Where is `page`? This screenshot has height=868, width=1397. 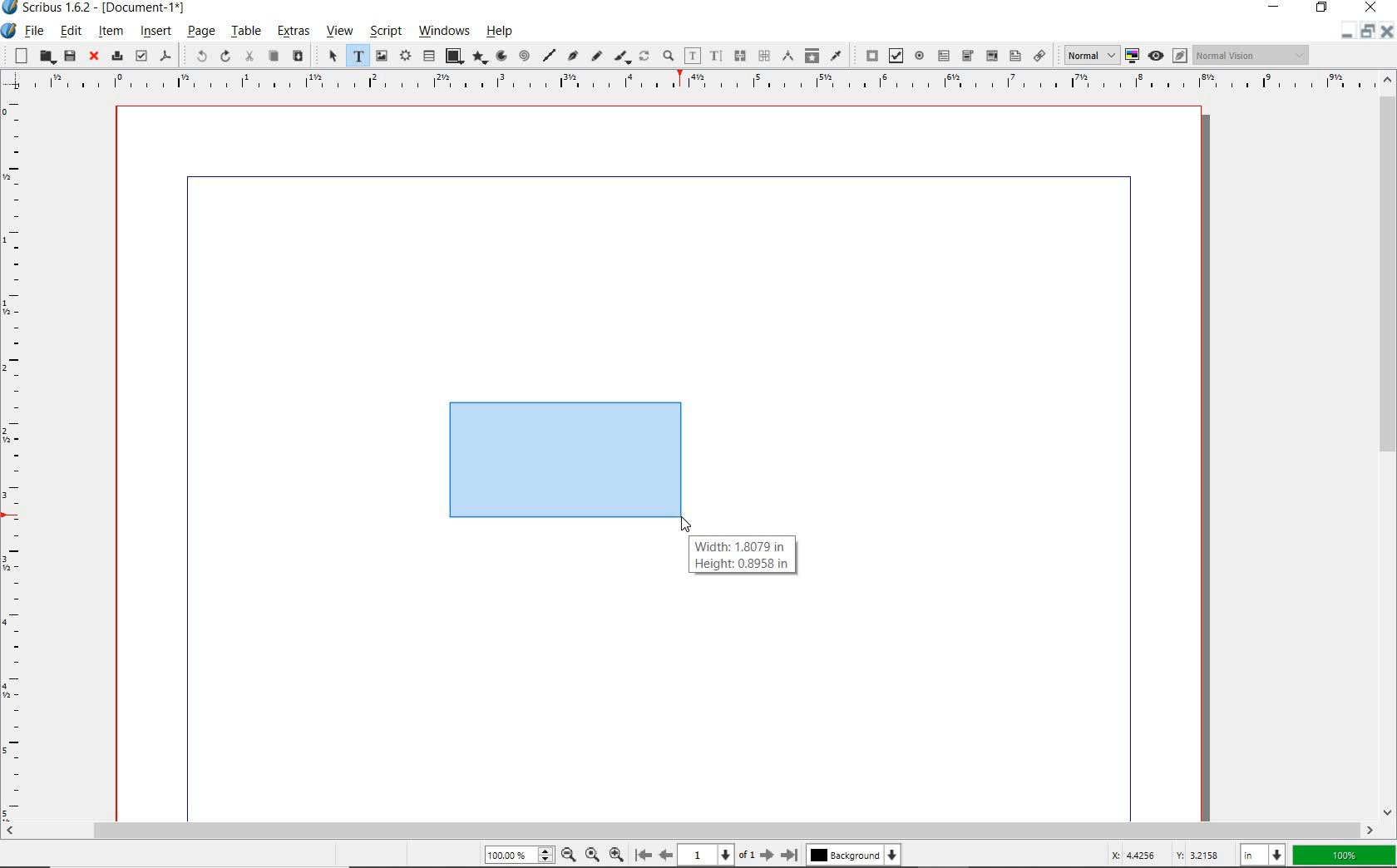
page is located at coordinates (200, 33).